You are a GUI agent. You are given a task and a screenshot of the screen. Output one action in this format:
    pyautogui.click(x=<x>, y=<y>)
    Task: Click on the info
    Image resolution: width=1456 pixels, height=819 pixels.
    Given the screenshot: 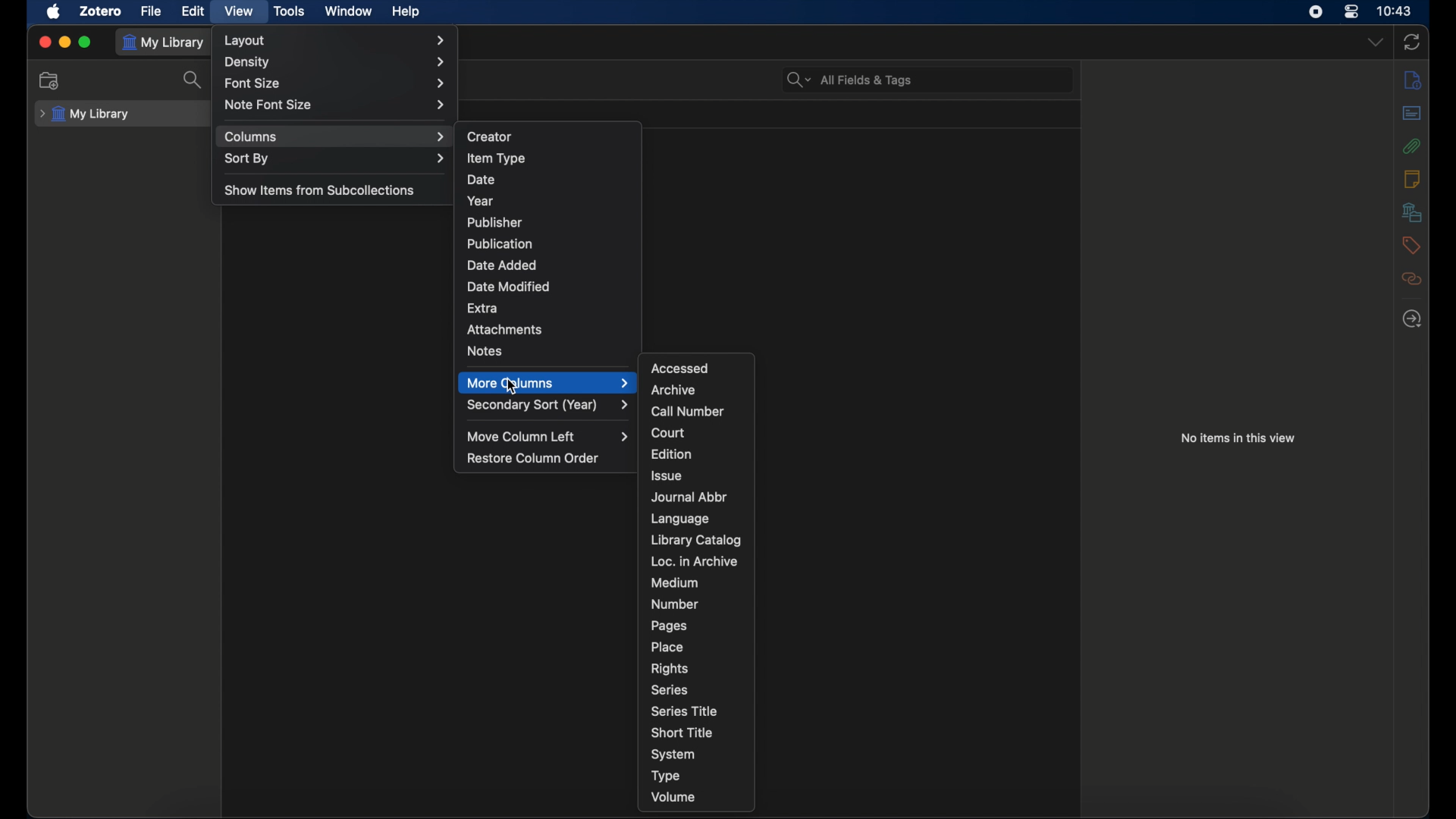 What is the action you would take?
    pyautogui.click(x=1412, y=80)
    